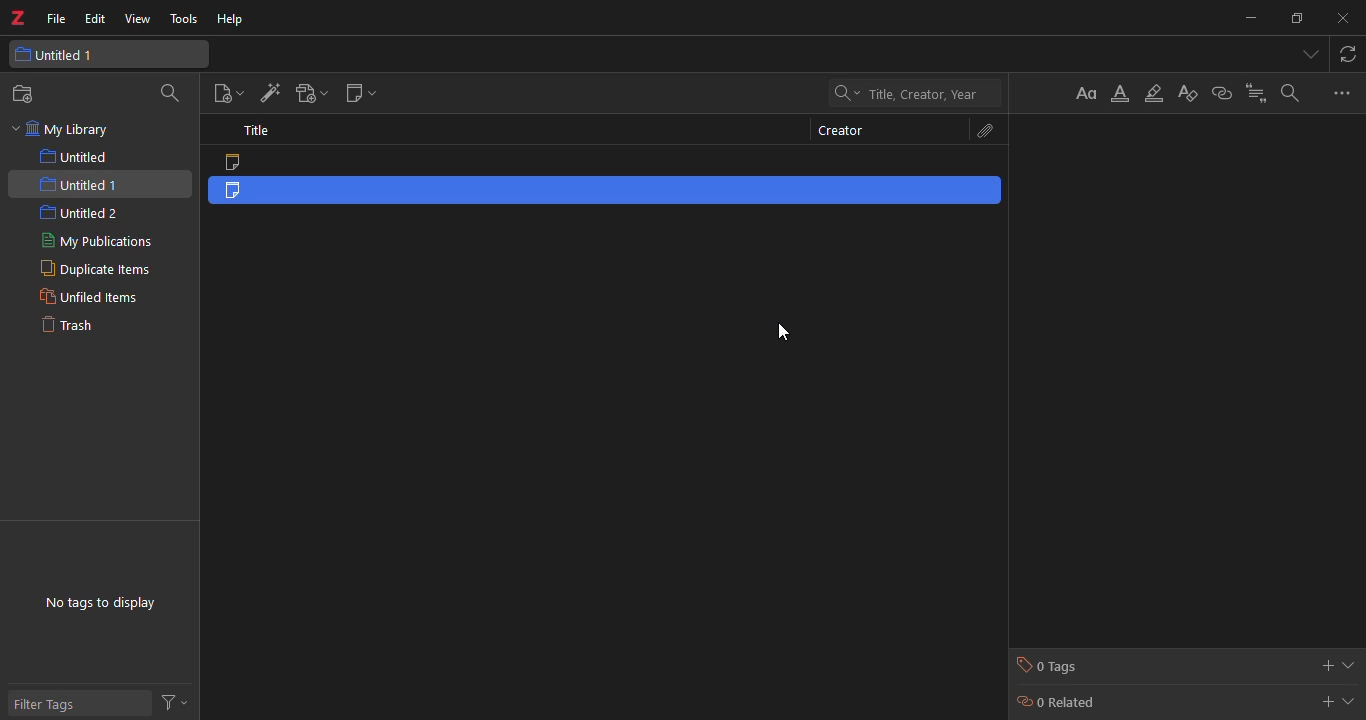 This screenshot has height=720, width=1366. I want to click on expand, so click(1349, 666).